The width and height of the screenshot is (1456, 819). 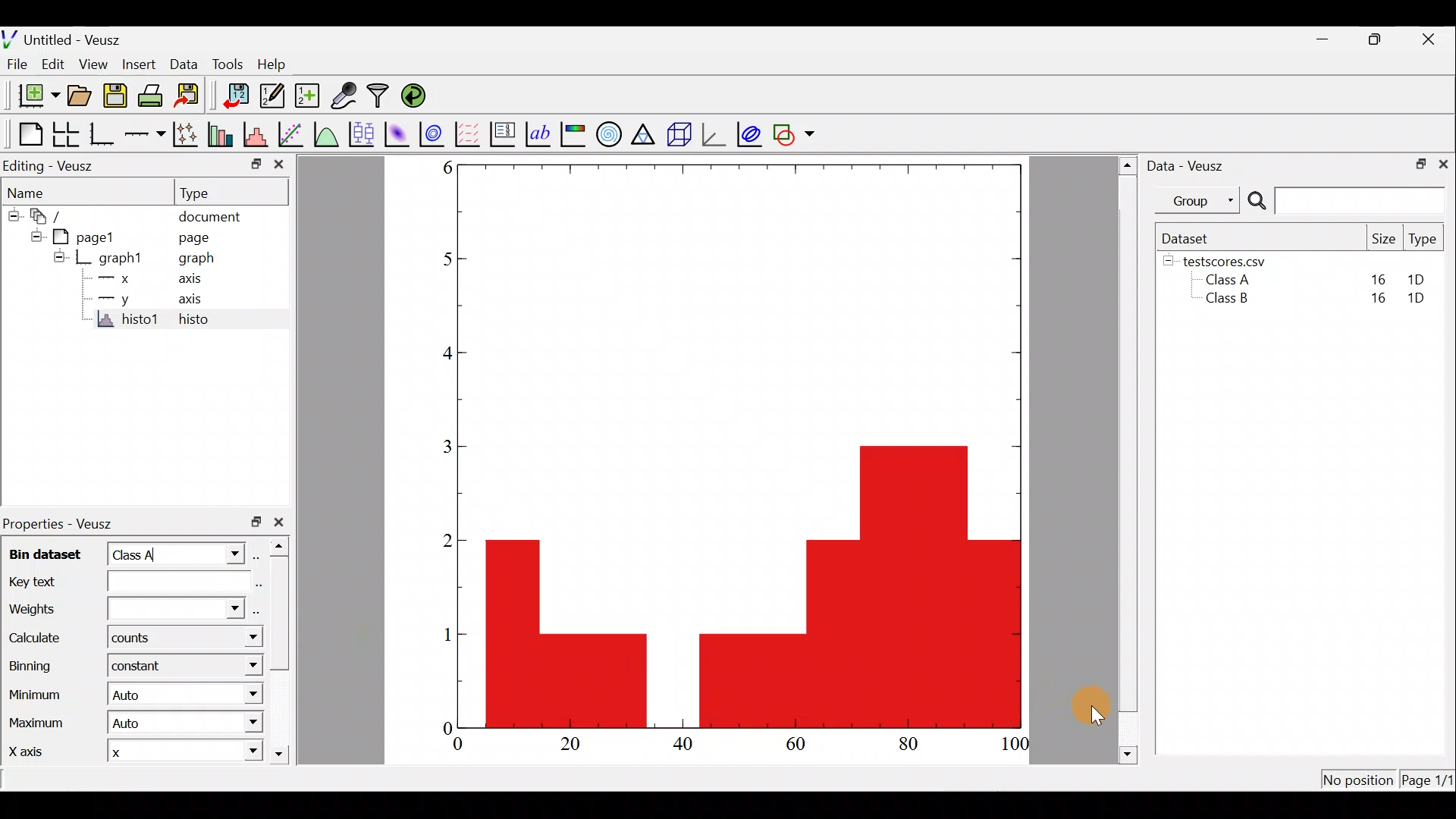 What do you see at coordinates (1189, 237) in the screenshot?
I see `Dataset` at bounding box center [1189, 237].